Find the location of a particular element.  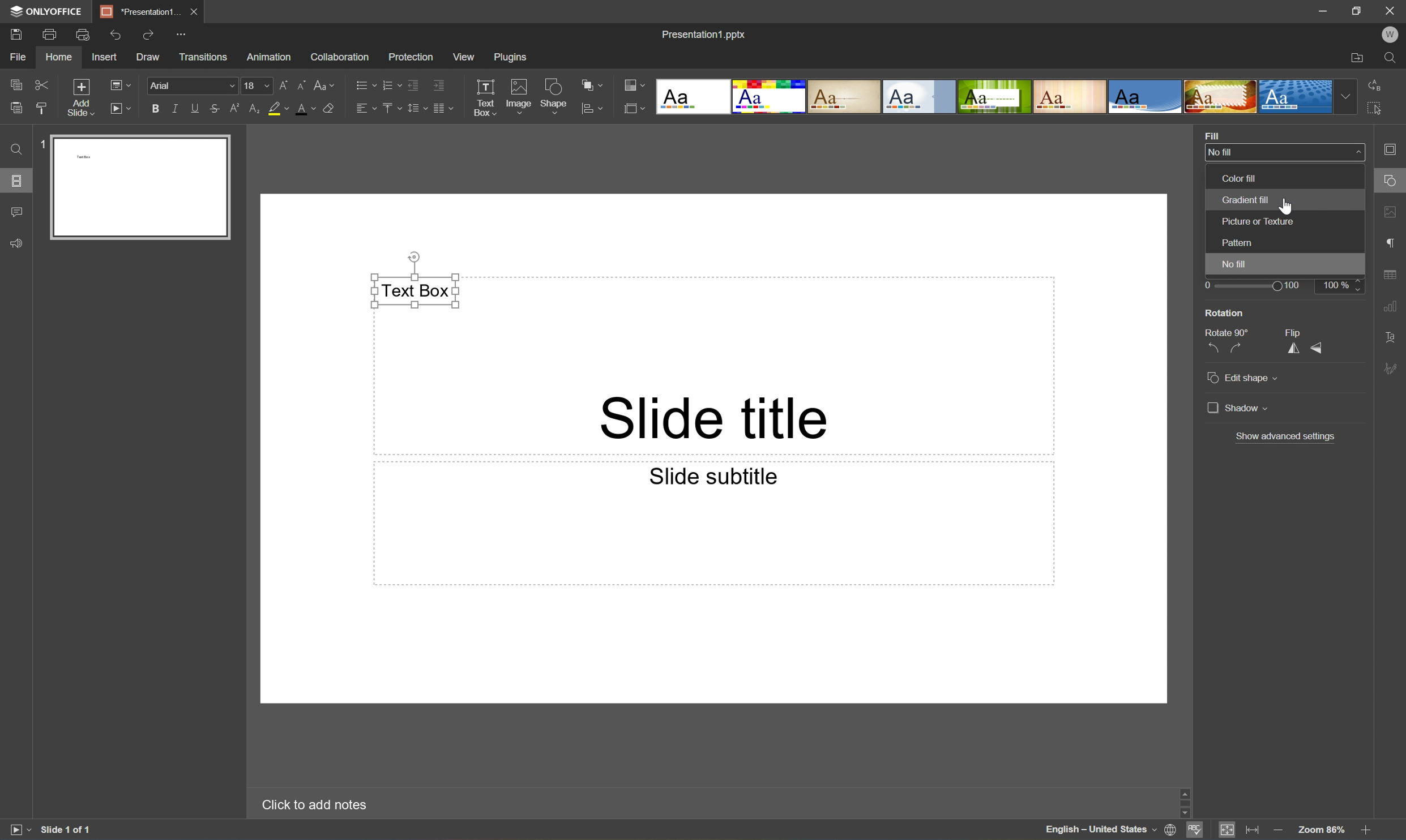

Superscript is located at coordinates (231, 108).